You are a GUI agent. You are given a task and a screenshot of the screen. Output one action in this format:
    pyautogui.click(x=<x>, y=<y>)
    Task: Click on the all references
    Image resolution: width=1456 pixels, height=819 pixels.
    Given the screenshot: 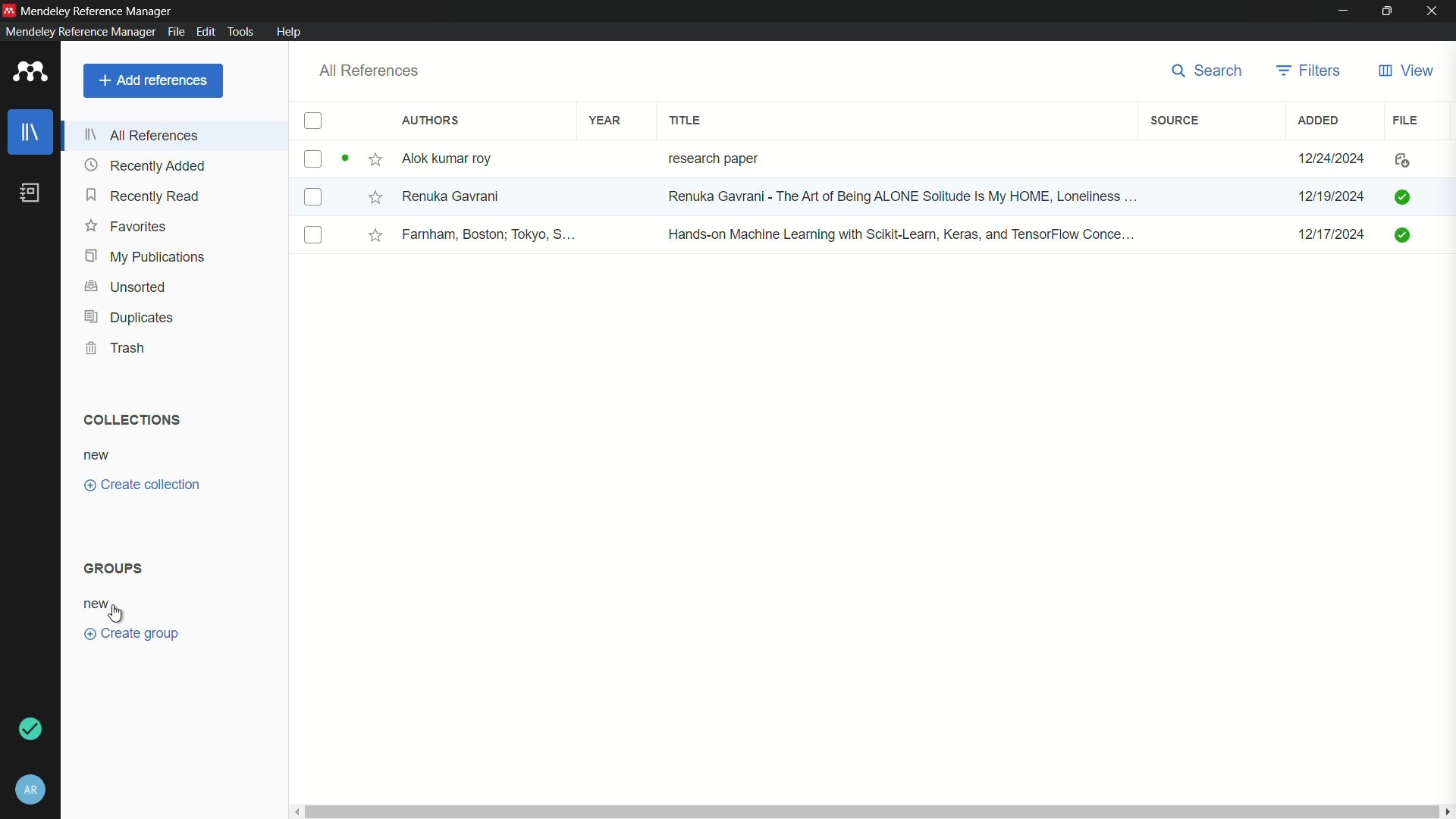 What is the action you would take?
    pyautogui.click(x=146, y=134)
    